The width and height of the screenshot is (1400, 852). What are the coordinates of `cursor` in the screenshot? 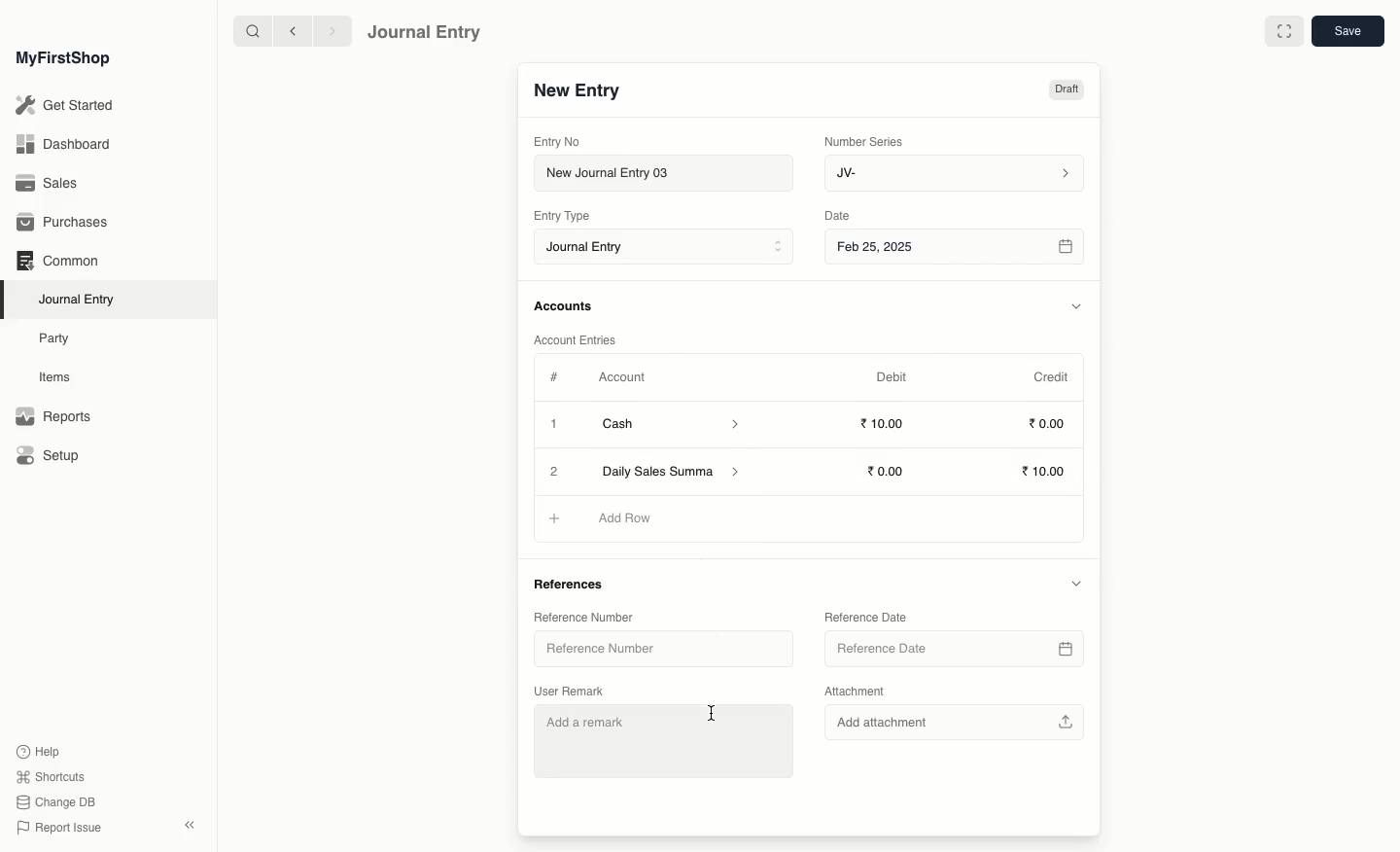 It's located at (708, 707).